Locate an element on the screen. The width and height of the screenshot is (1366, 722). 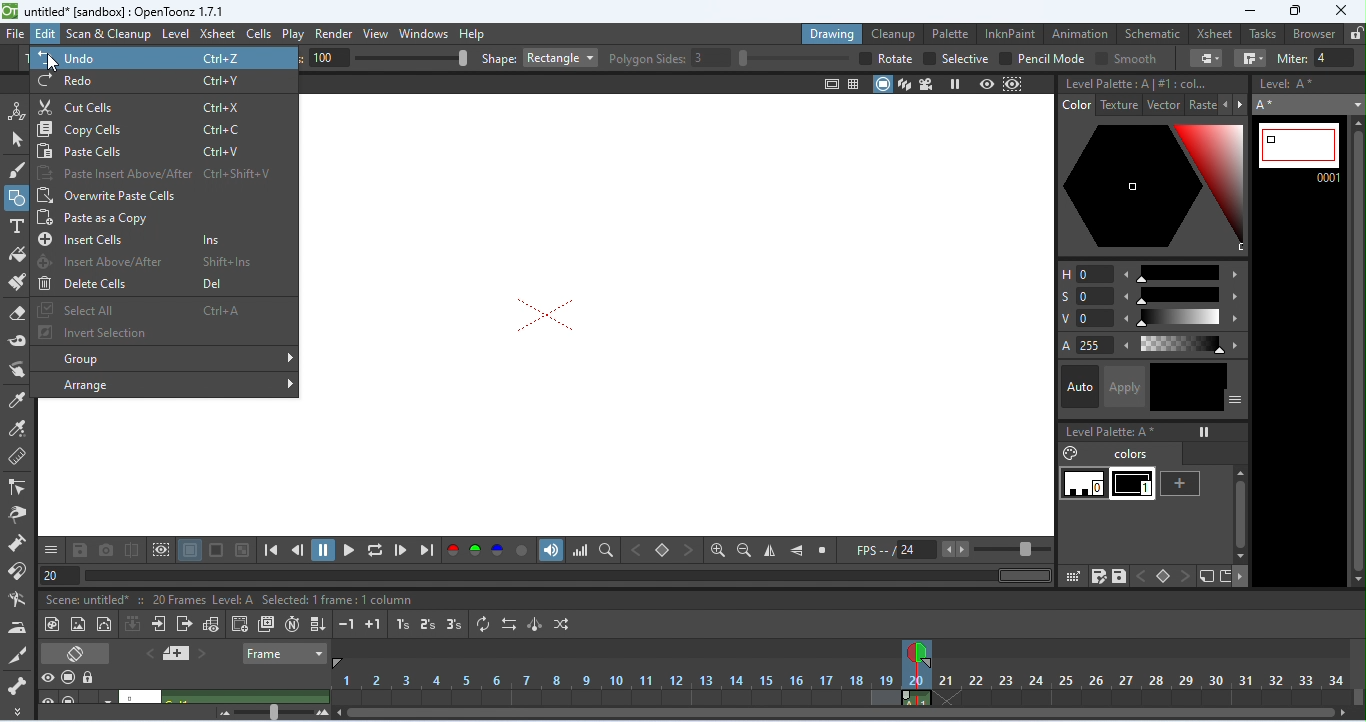
selective is located at coordinates (955, 58).